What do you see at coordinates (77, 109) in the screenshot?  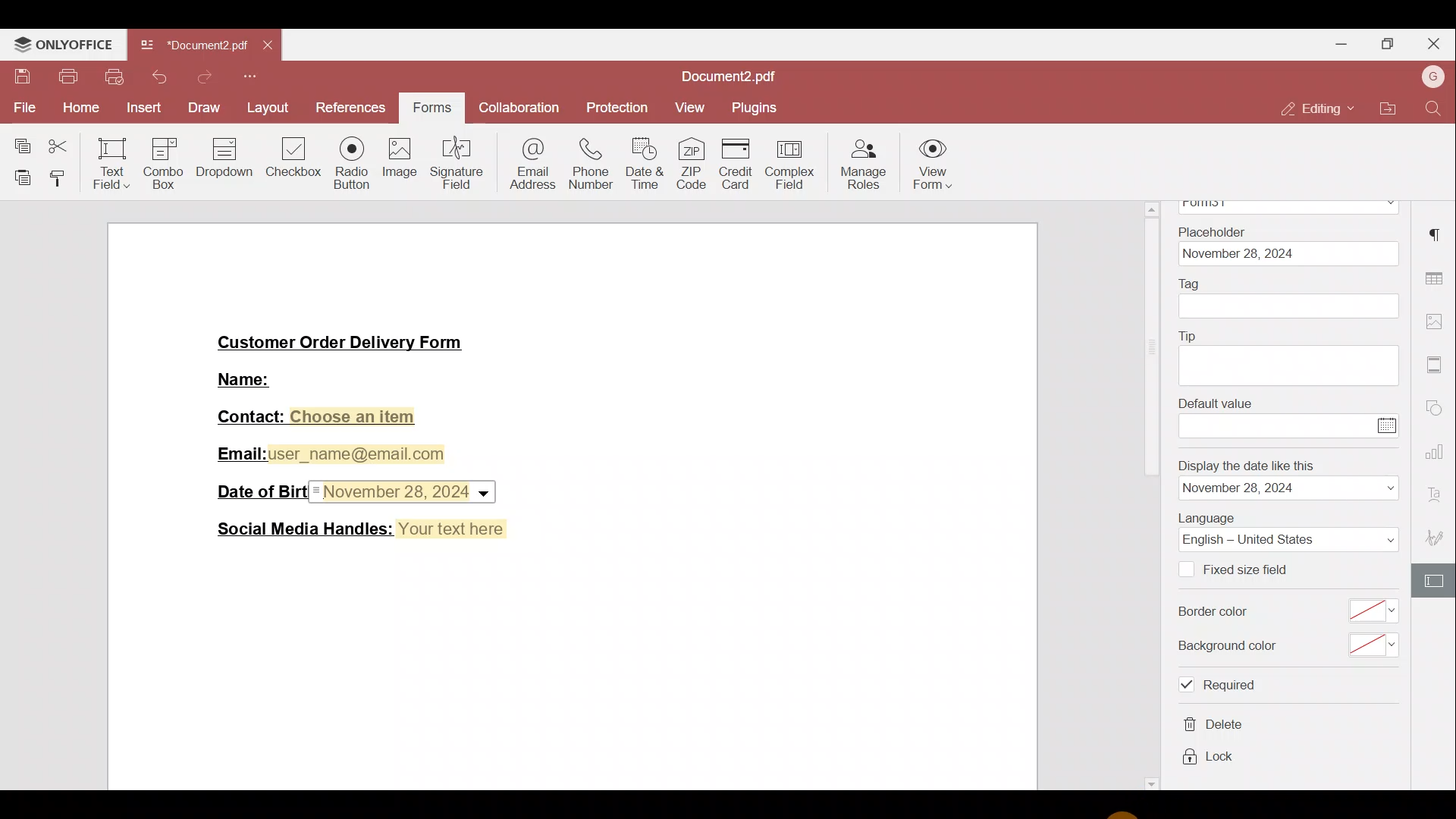 I see `Home` at bounding box center [77, 109].